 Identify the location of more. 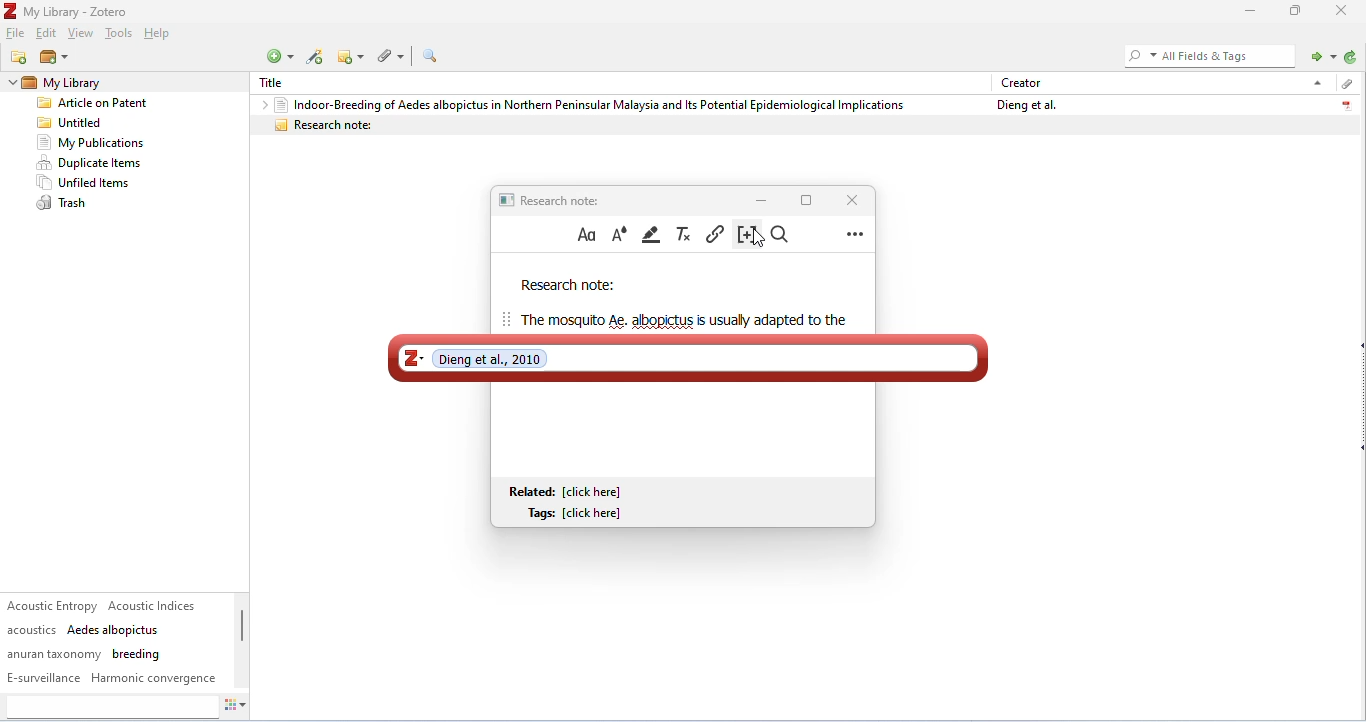
(855, 233).